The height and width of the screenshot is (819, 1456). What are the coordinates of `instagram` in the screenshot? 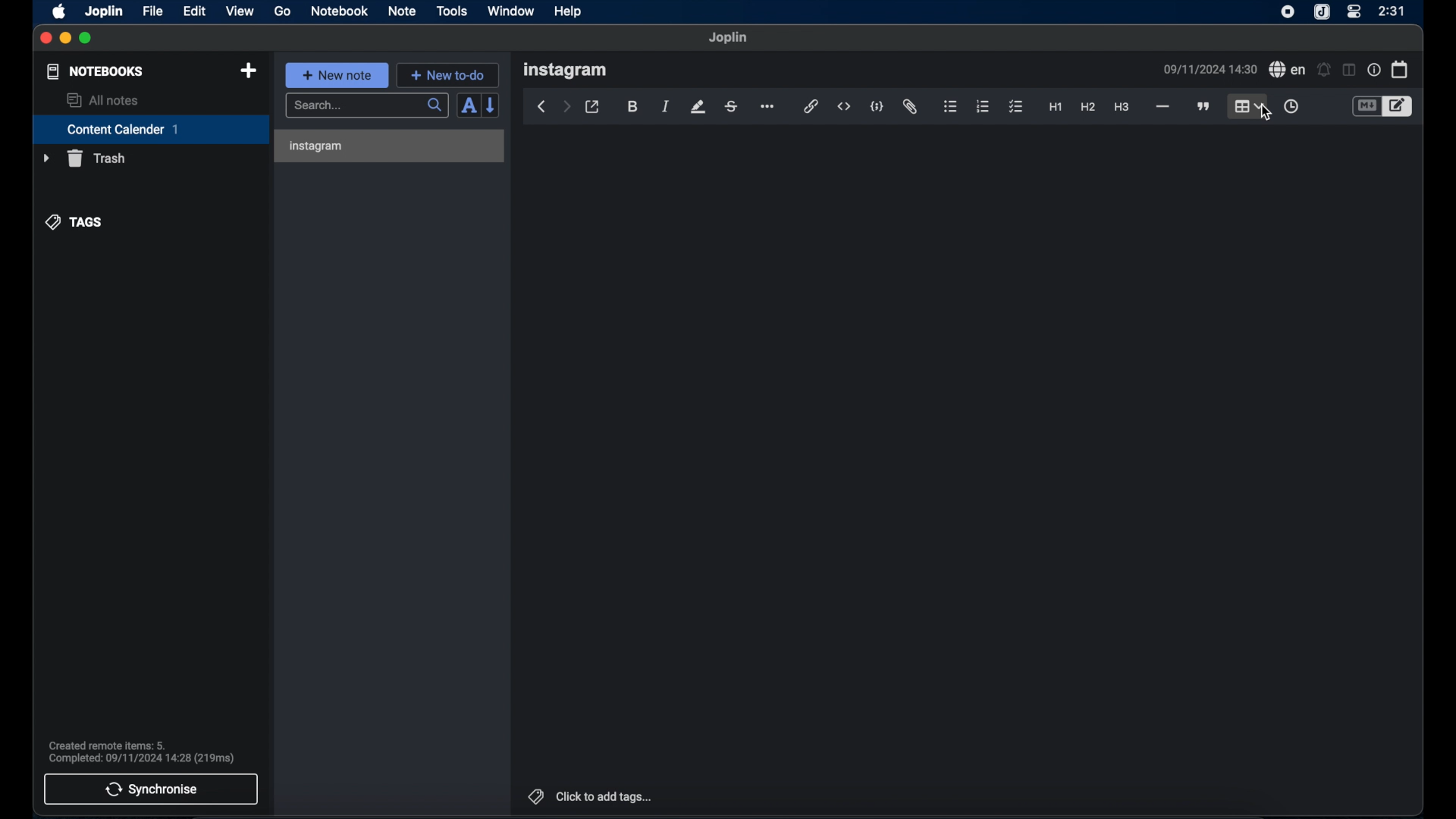 It's located at (318, 146).